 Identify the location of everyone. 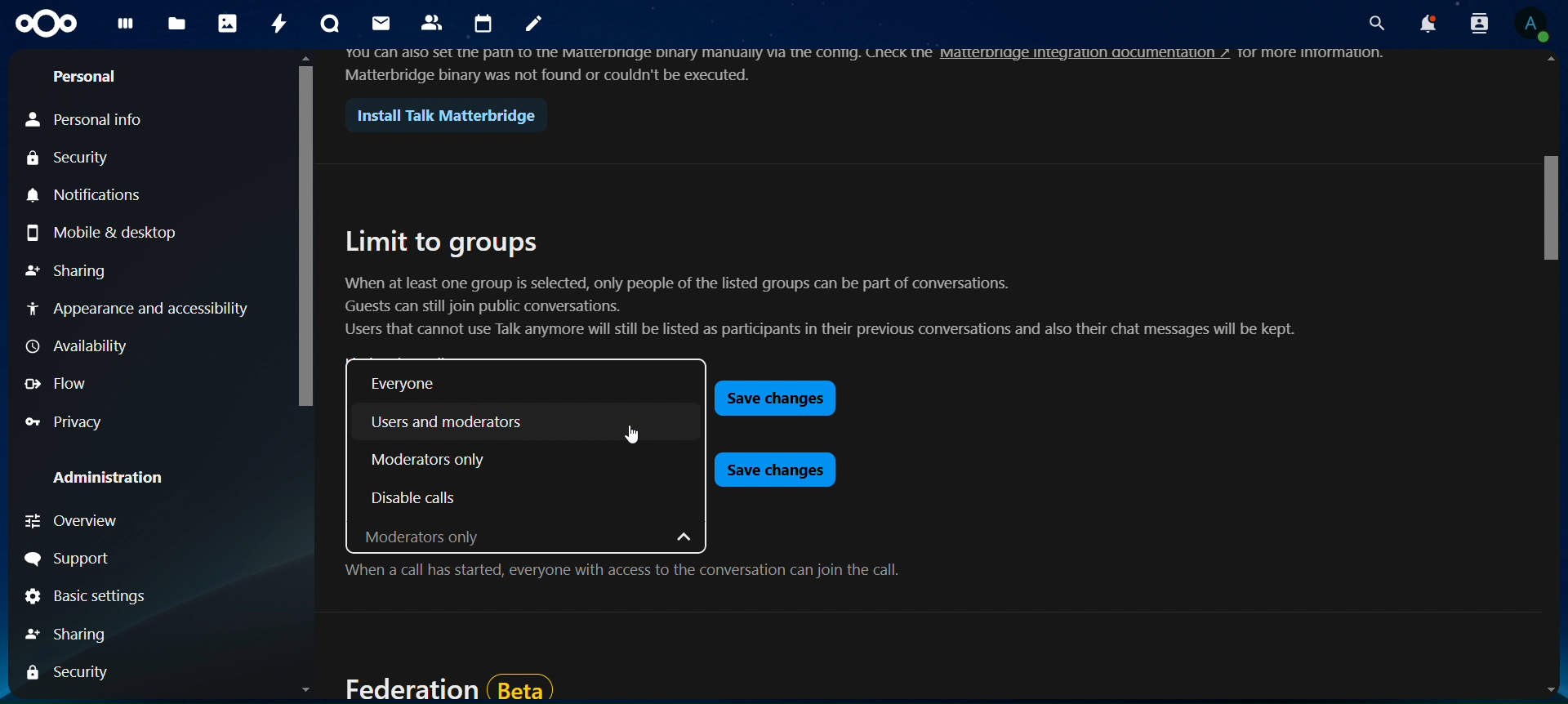
(408, 382).